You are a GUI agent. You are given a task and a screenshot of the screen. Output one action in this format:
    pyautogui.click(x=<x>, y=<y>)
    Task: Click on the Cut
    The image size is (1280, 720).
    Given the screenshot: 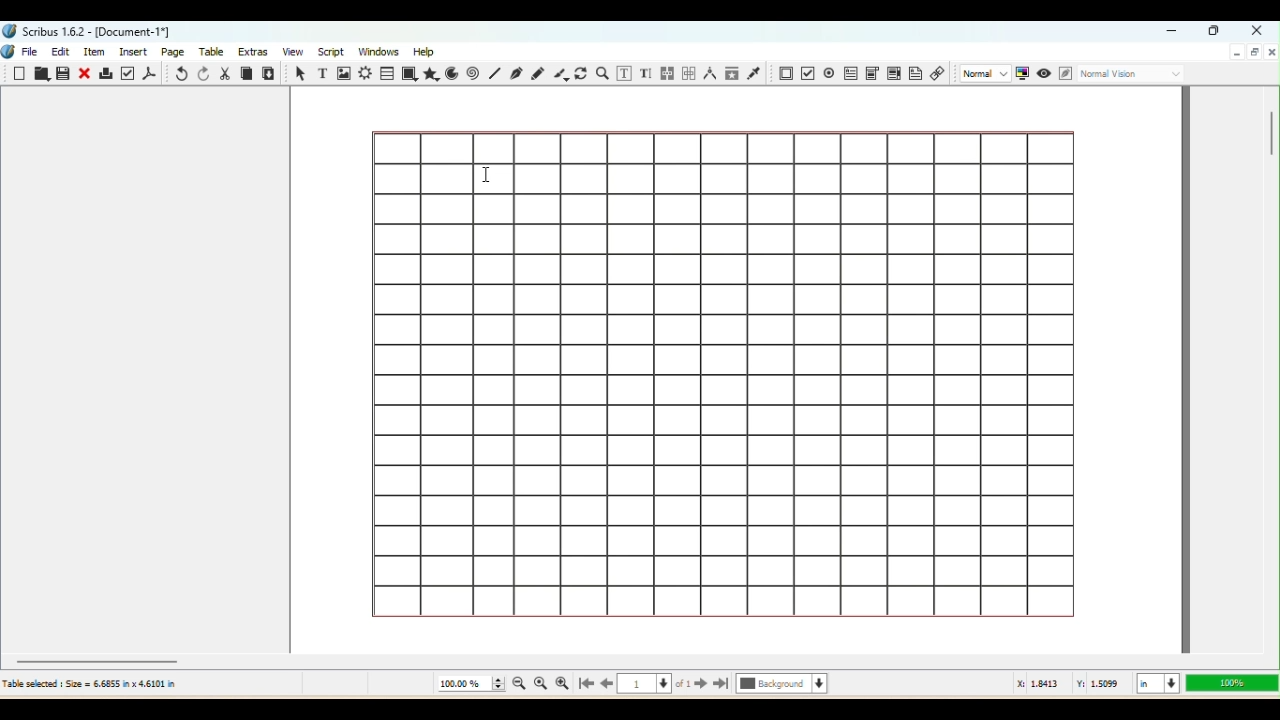 What is the action you would take?
    pyautogui.click(x=225, y=73)
    